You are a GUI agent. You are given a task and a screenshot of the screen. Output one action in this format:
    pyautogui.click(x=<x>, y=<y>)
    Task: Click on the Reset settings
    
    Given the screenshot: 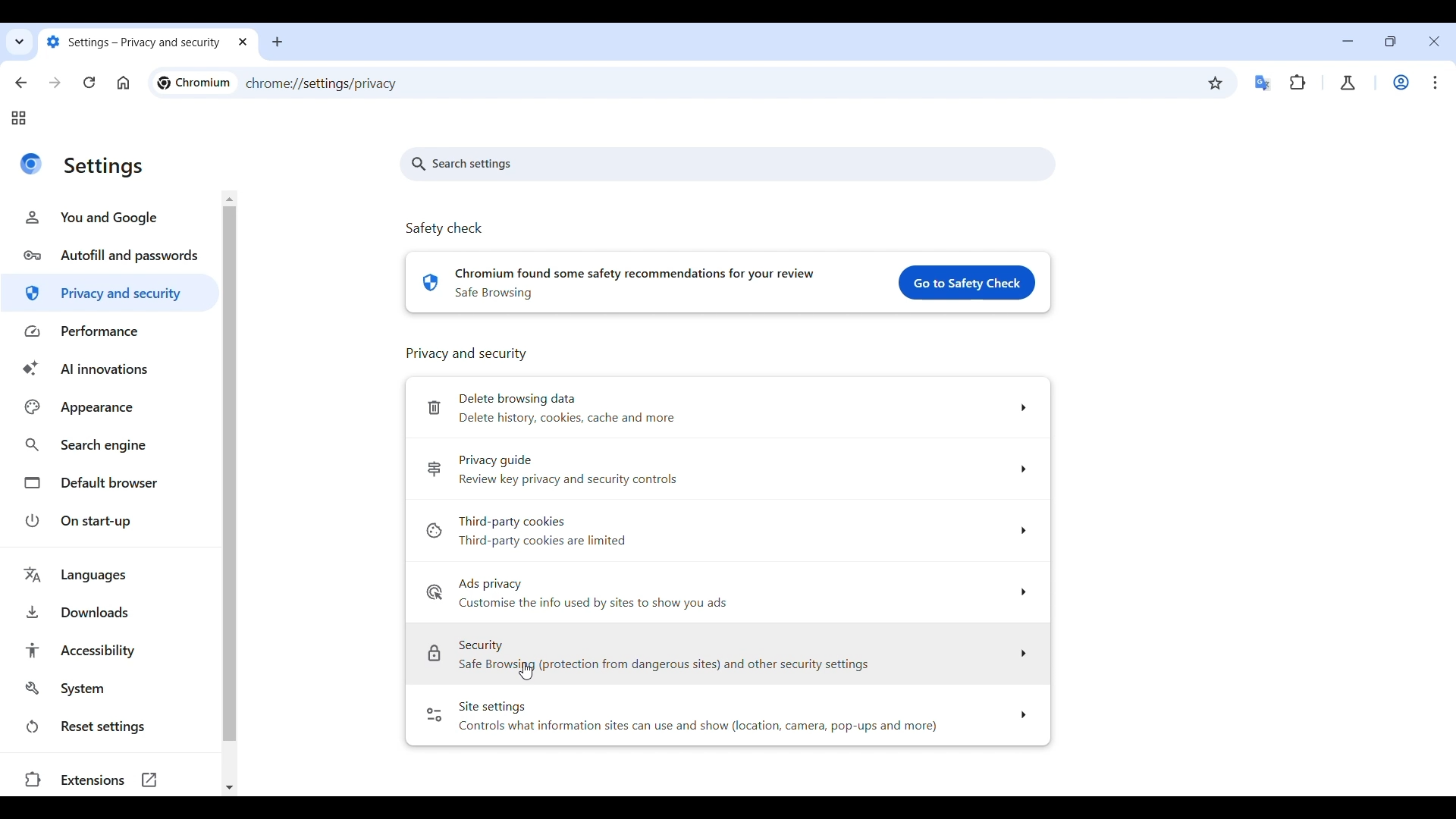 What is the action you would take?
    pyautogui.click(x=111, y=726)
    